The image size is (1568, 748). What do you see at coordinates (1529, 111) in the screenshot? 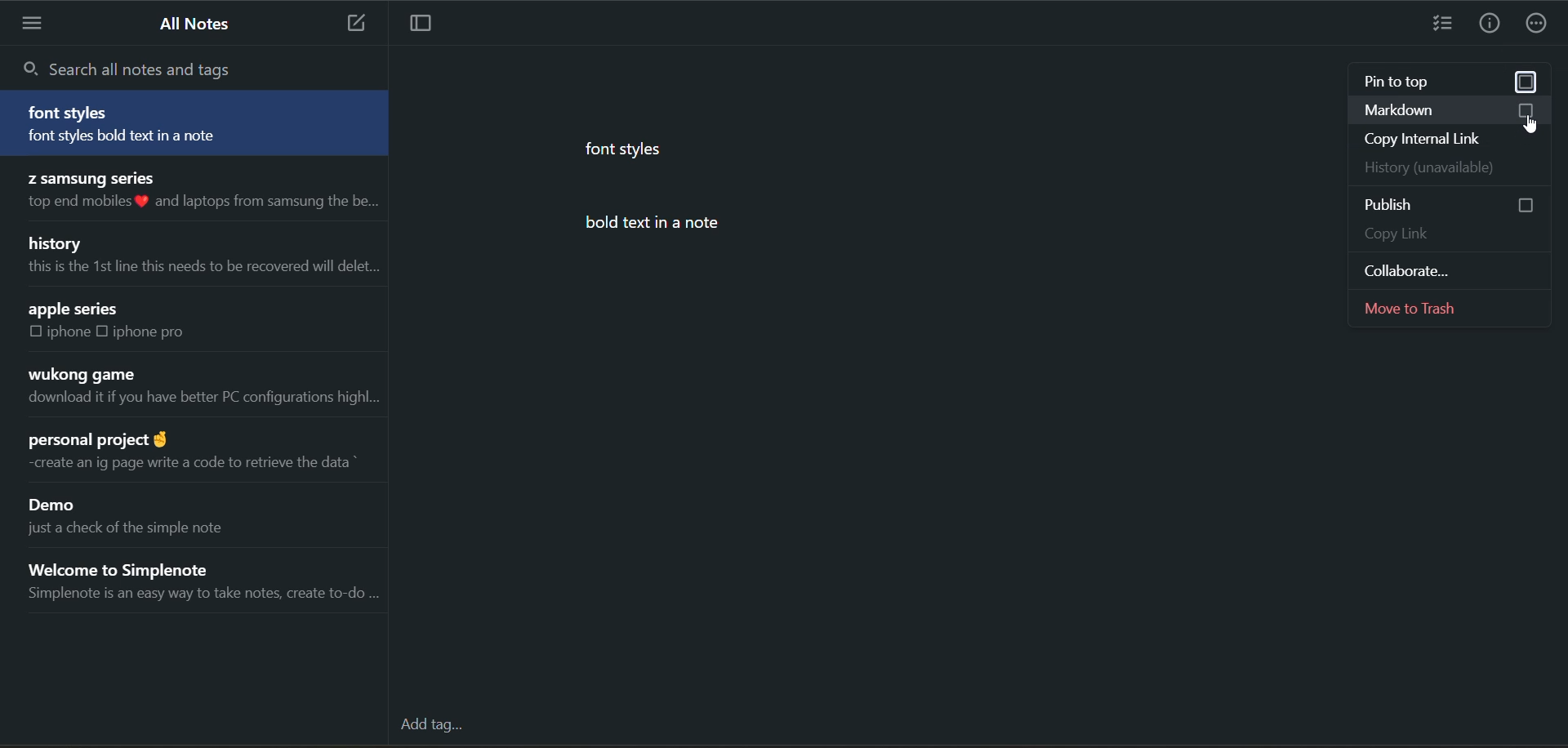
I see `checkbox` at bounding box center [1529, 111].